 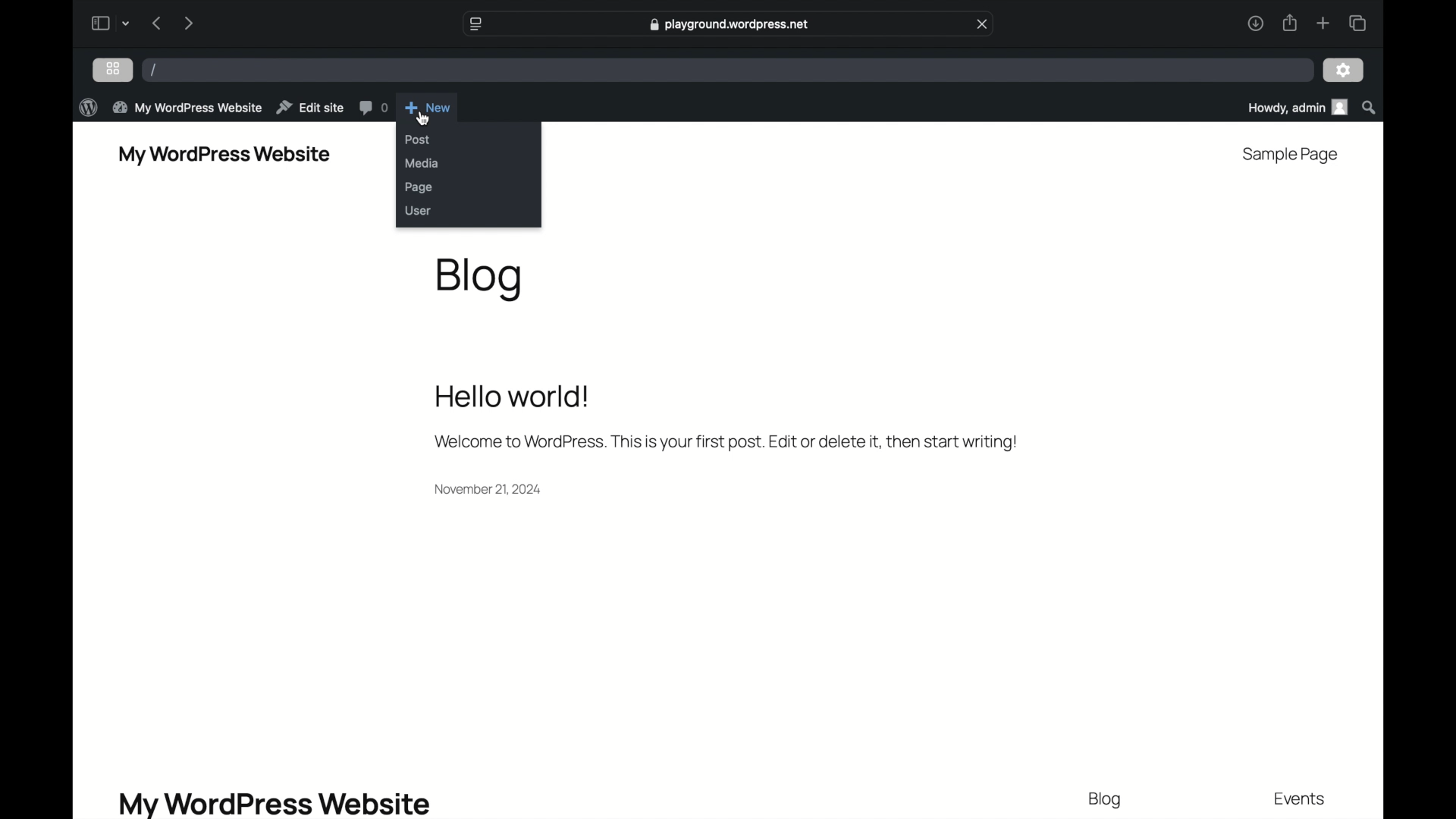 I want to click on website settings, so click(x=475, y=24).